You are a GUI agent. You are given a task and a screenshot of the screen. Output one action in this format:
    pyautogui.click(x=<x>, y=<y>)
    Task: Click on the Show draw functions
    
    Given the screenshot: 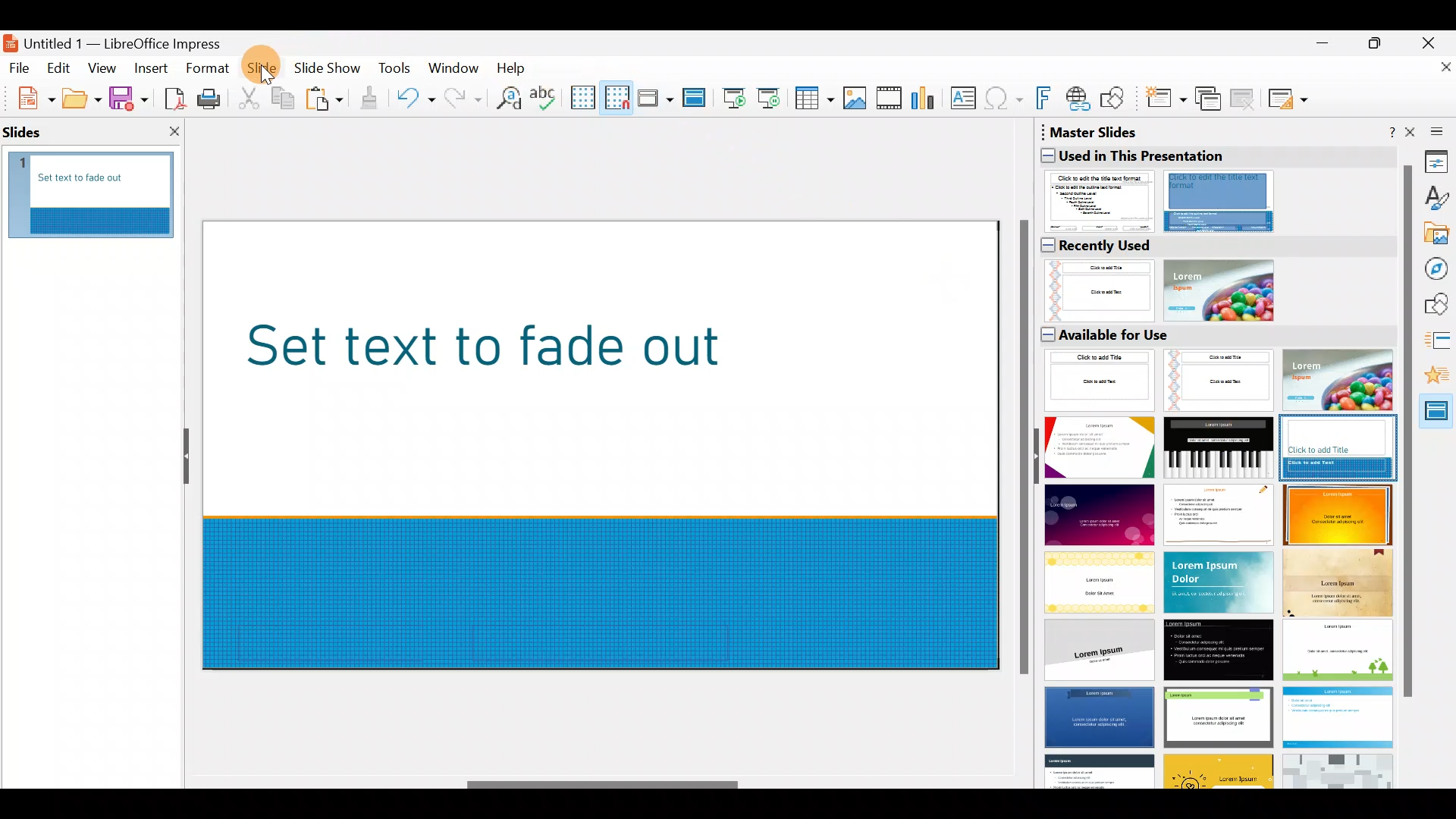 What is the action you would take?
    pyautogui.click(x=1116, y=99)
    